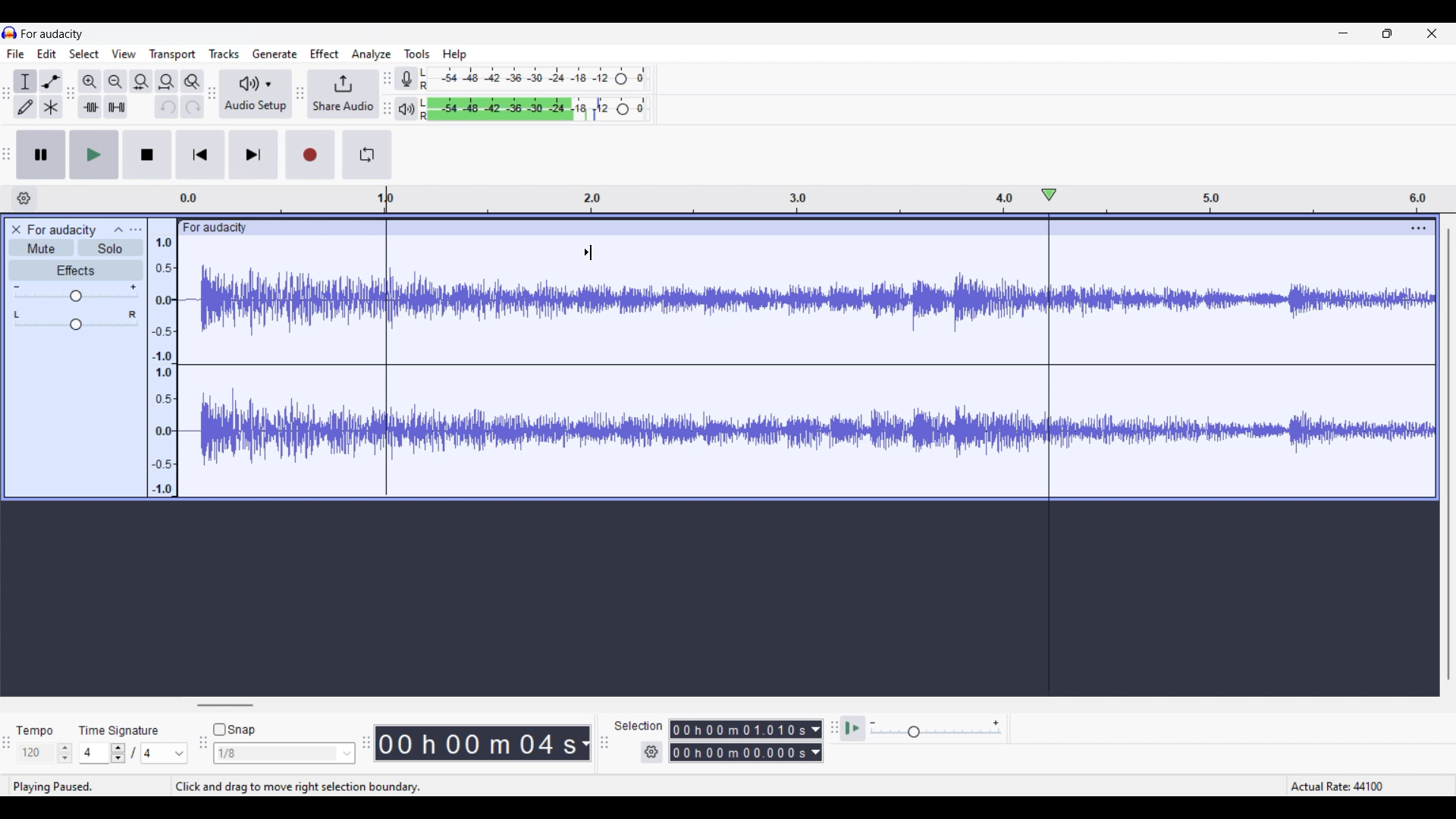  Describe the element at coordinates (50, 107) in the screenshot. I see `Multi-tool` at that location.